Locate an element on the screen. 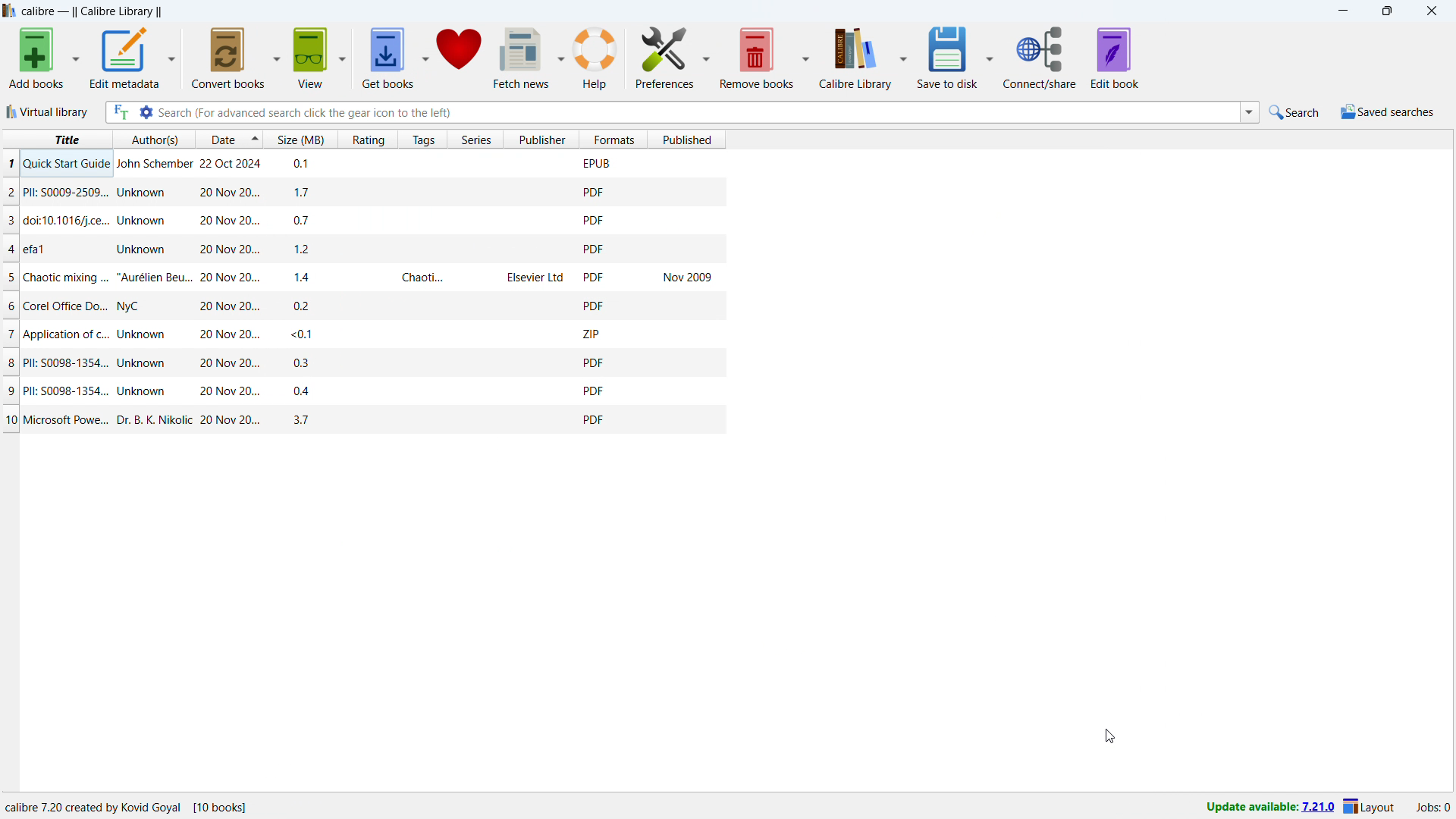  convert books is located at coordinates (227, 58).